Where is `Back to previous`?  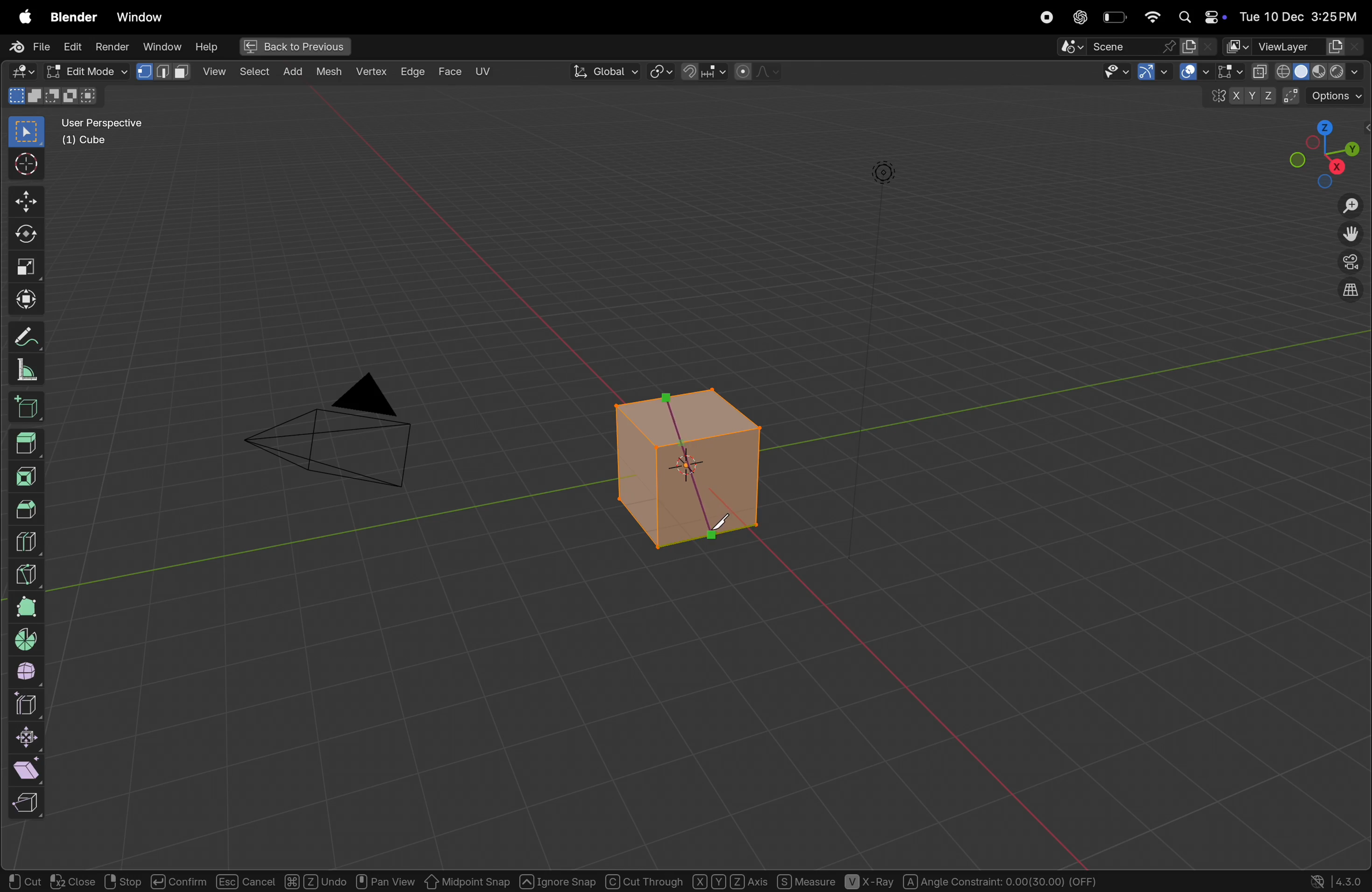 Back to previous is located at coordinates (291, 47).